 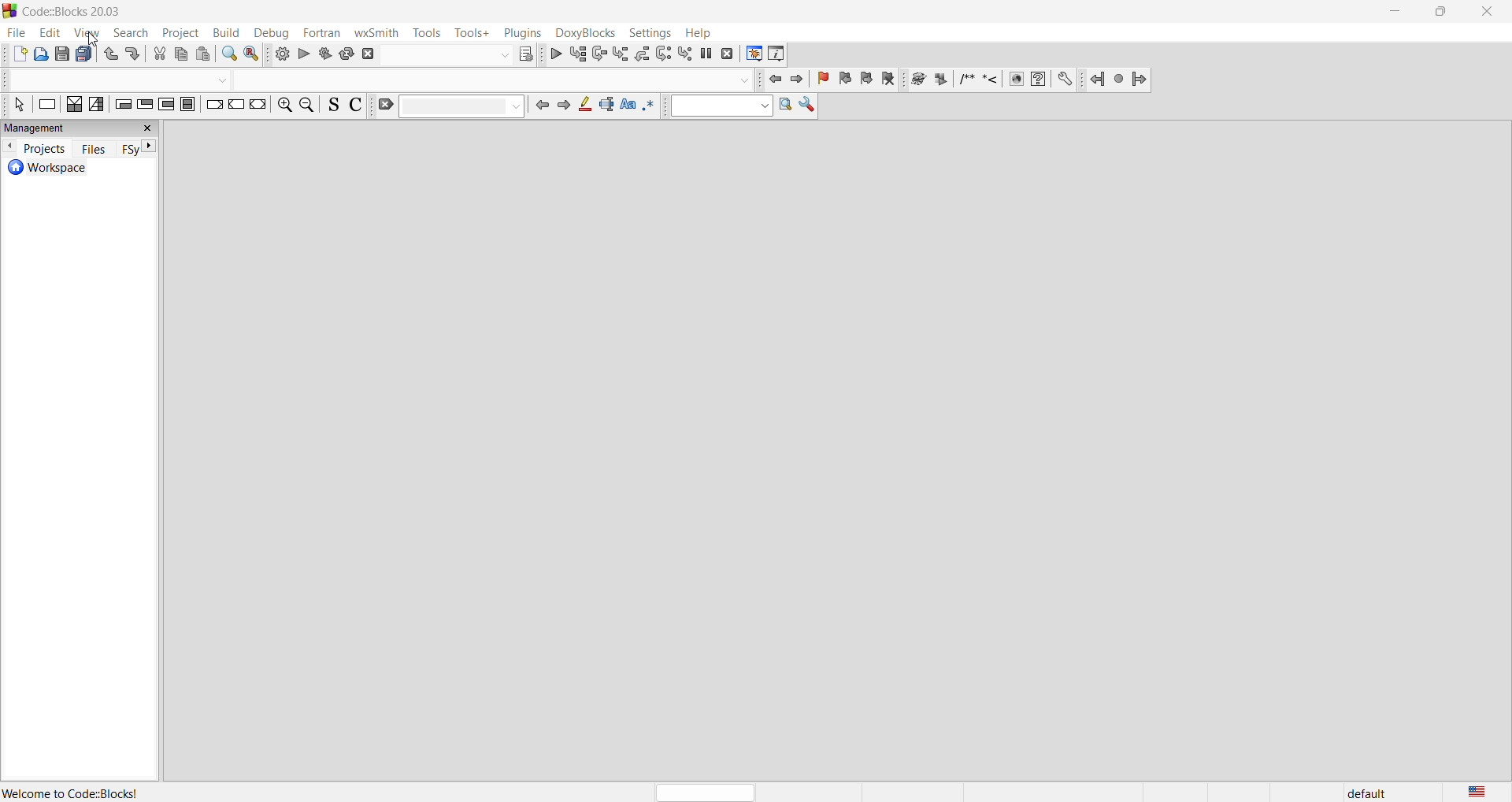 I want to click on previous, so click(x=9, y=147).